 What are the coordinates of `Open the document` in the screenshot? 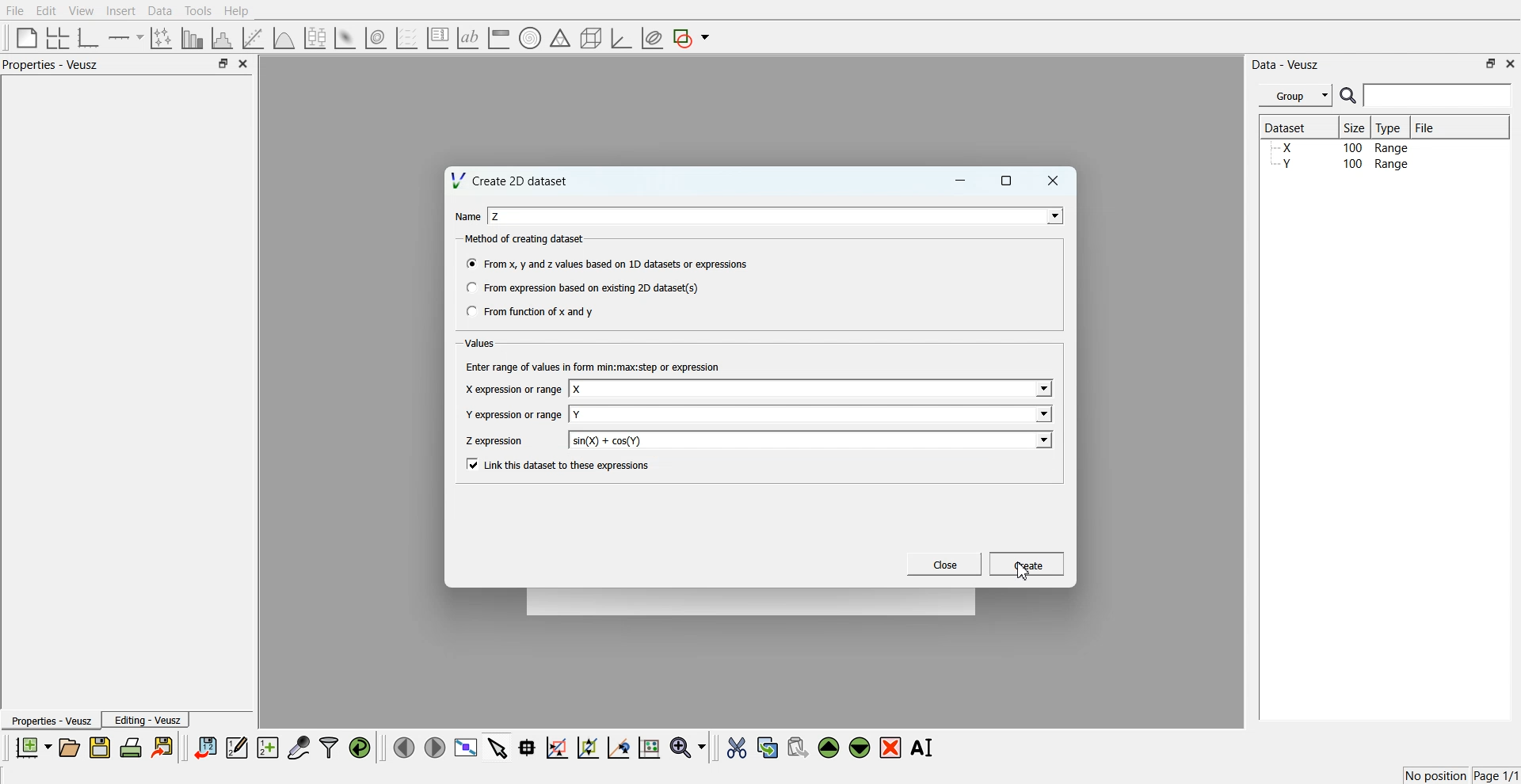 It's located at (68, 748).